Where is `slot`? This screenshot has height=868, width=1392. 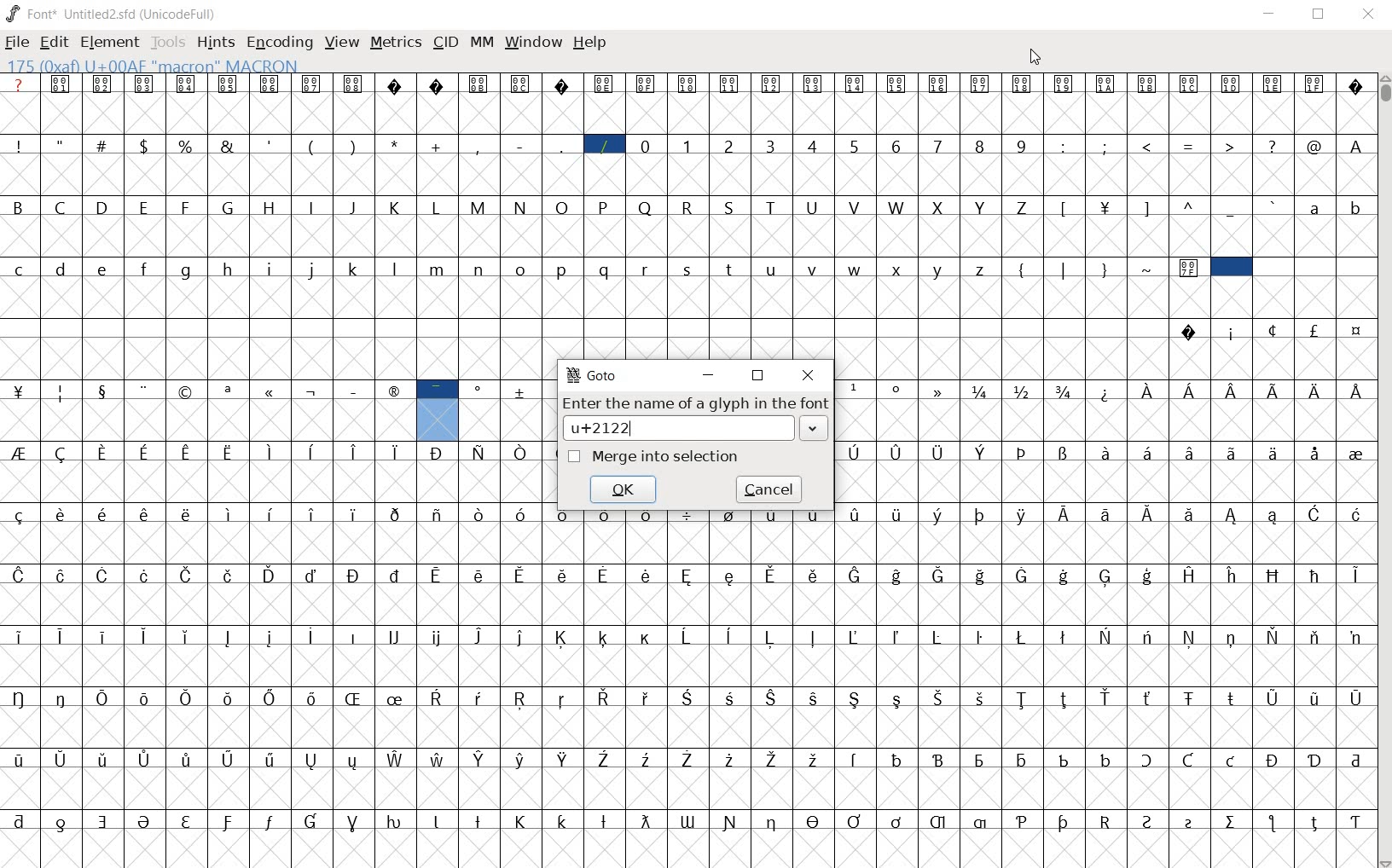 slot is located at coordinates (582, 342).